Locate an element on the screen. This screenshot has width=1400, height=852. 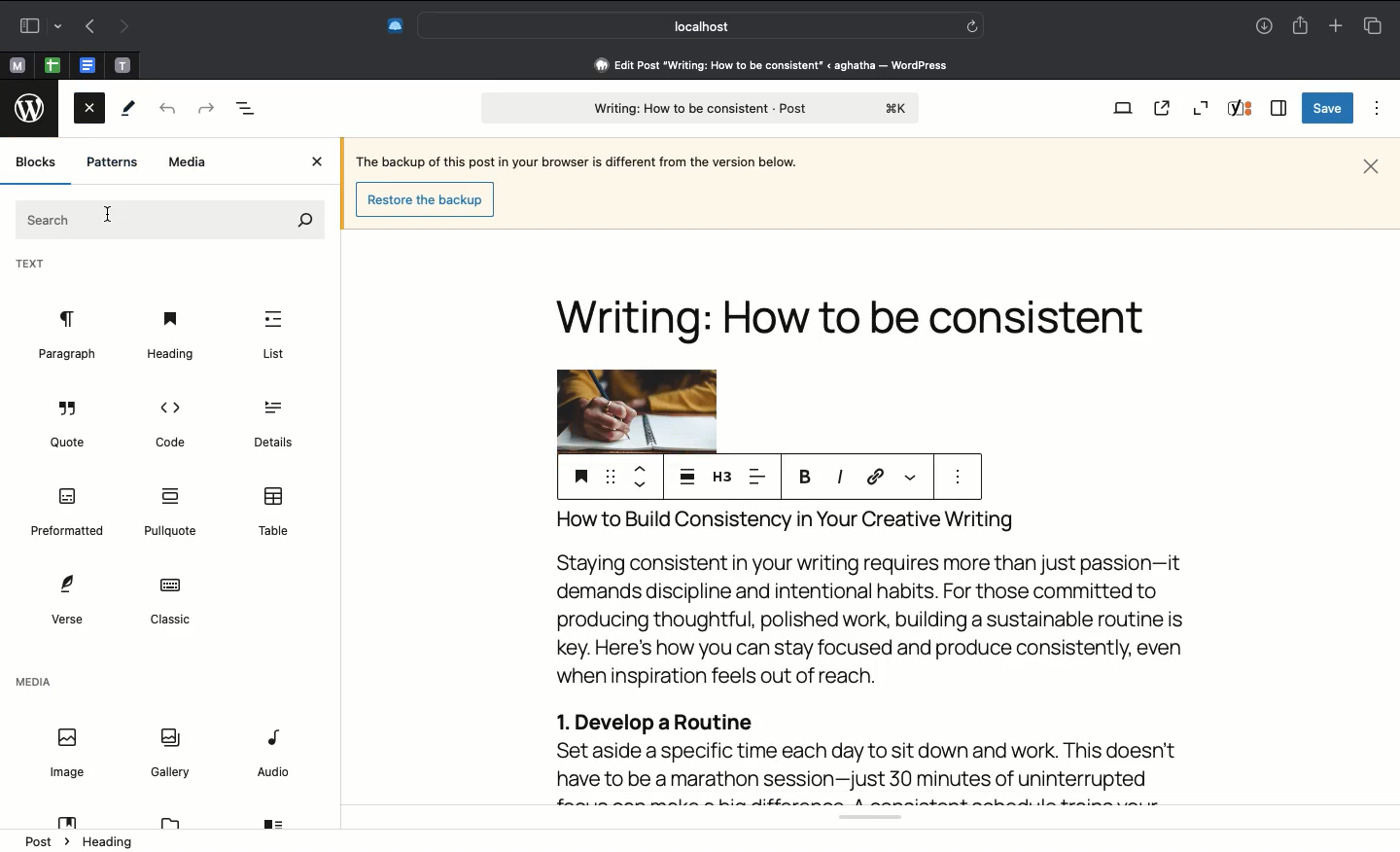
Heading is located at coordinates (170, 335).